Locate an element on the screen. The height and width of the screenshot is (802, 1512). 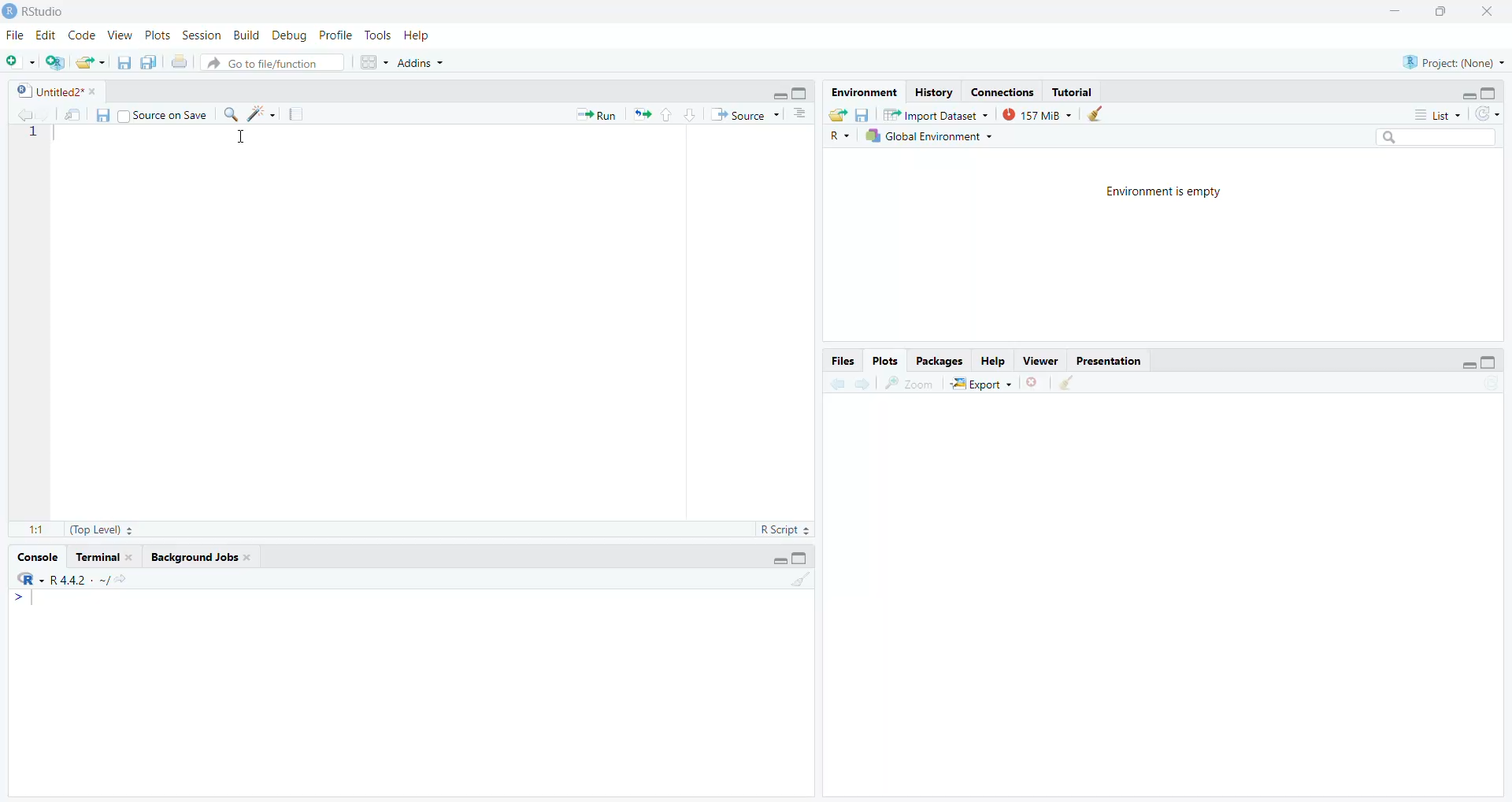
compile report is located at coordinates (298, 113).